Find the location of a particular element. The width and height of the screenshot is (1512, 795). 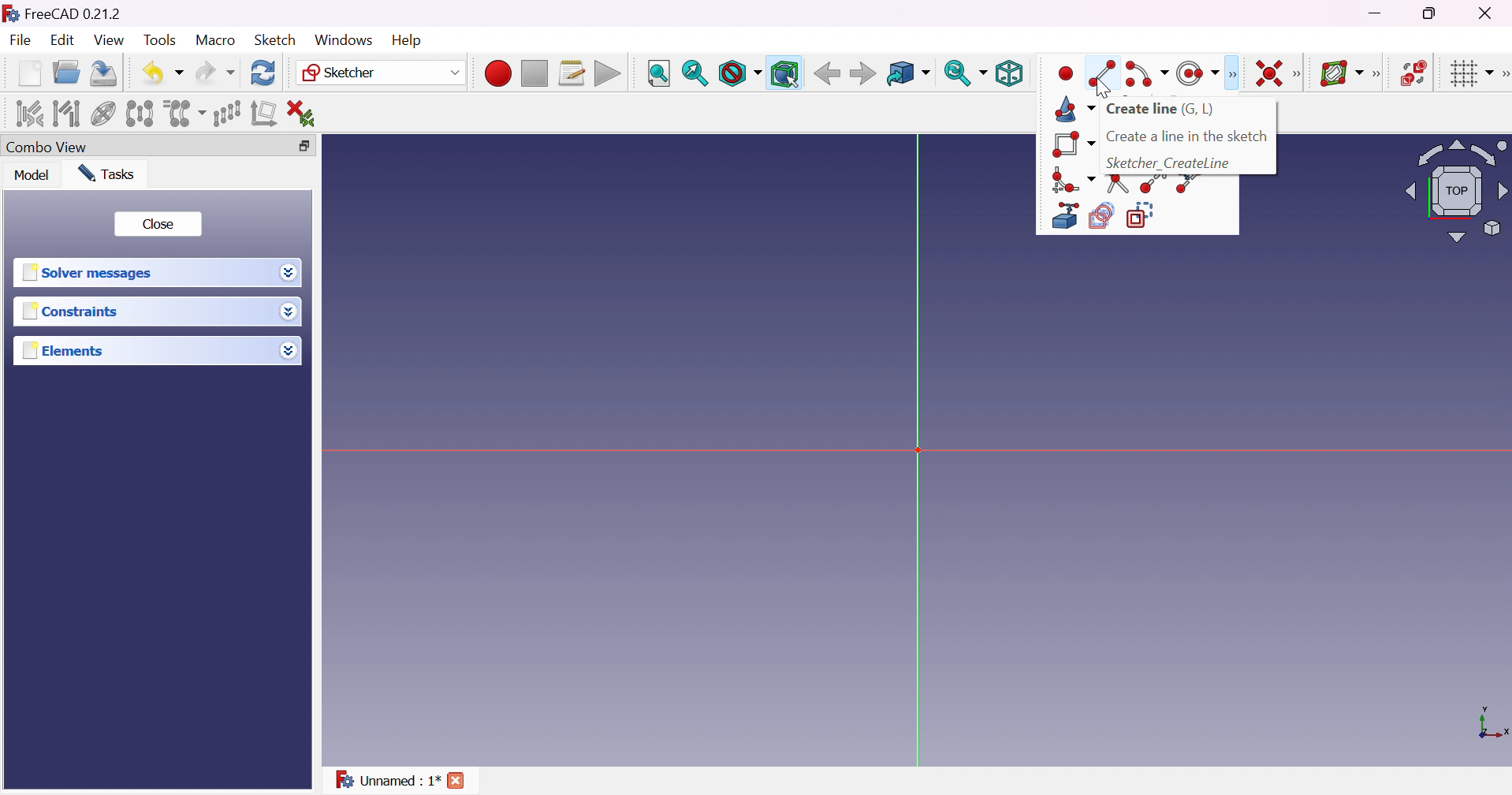

Bounding box is located at coordinates (784, 73).